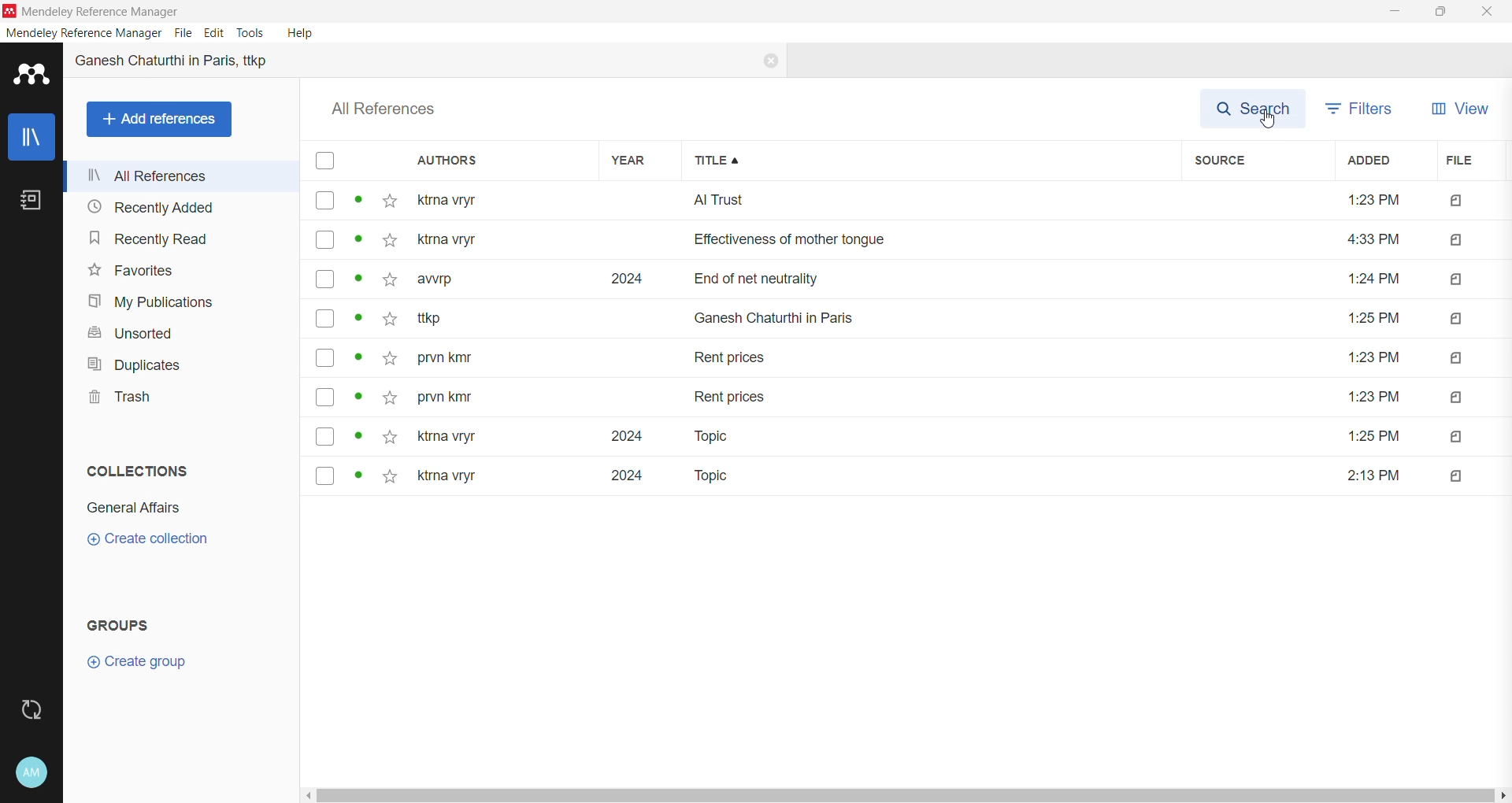  What do you see at coordinates (906, 202) in the screenshot?
I see `ktrna vryr Al Trust 1:23PM` at bounding box center [906, 202].